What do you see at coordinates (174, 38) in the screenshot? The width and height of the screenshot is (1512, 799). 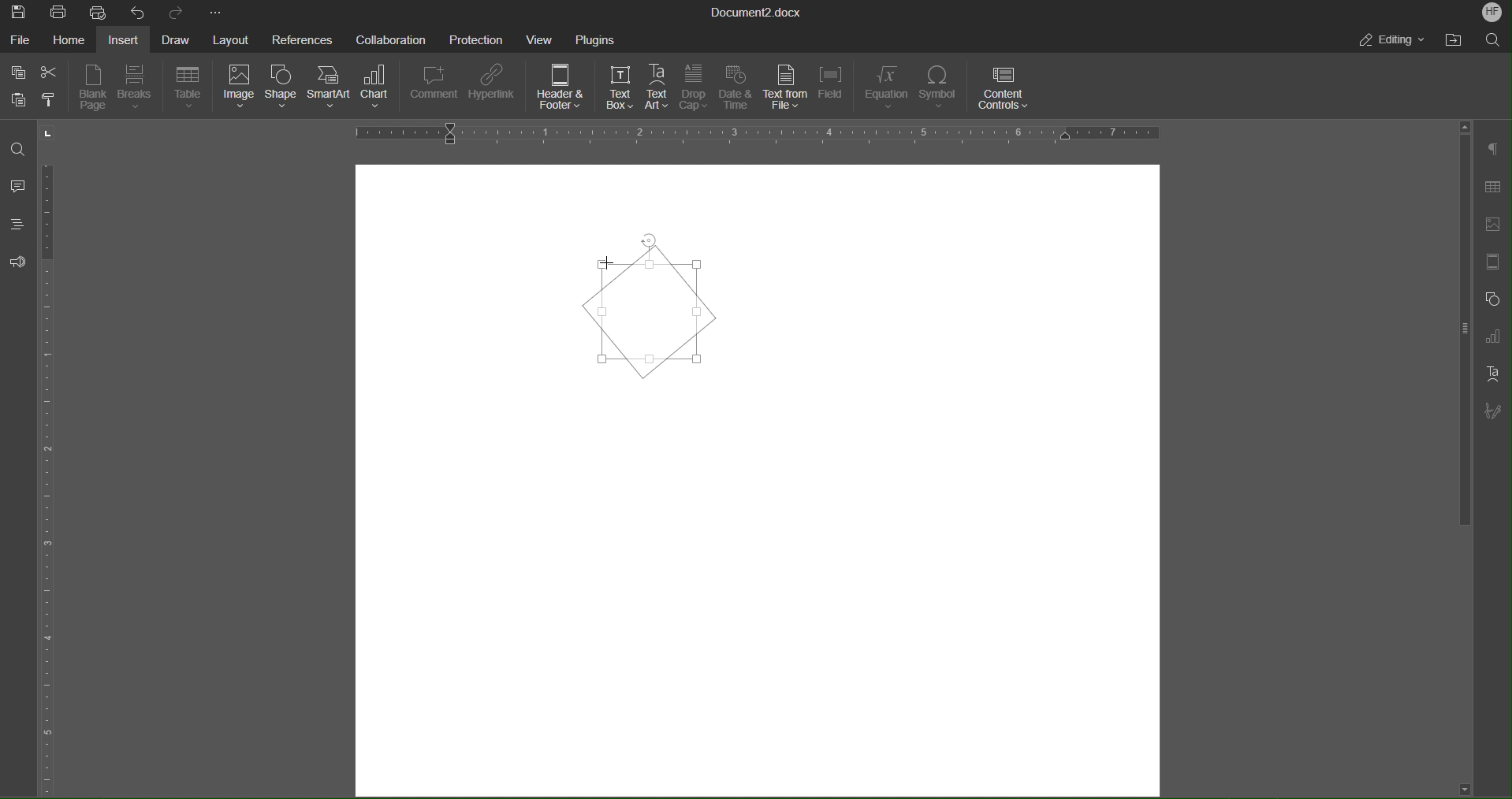 I see `Draw` at bounding box center [174, 38].